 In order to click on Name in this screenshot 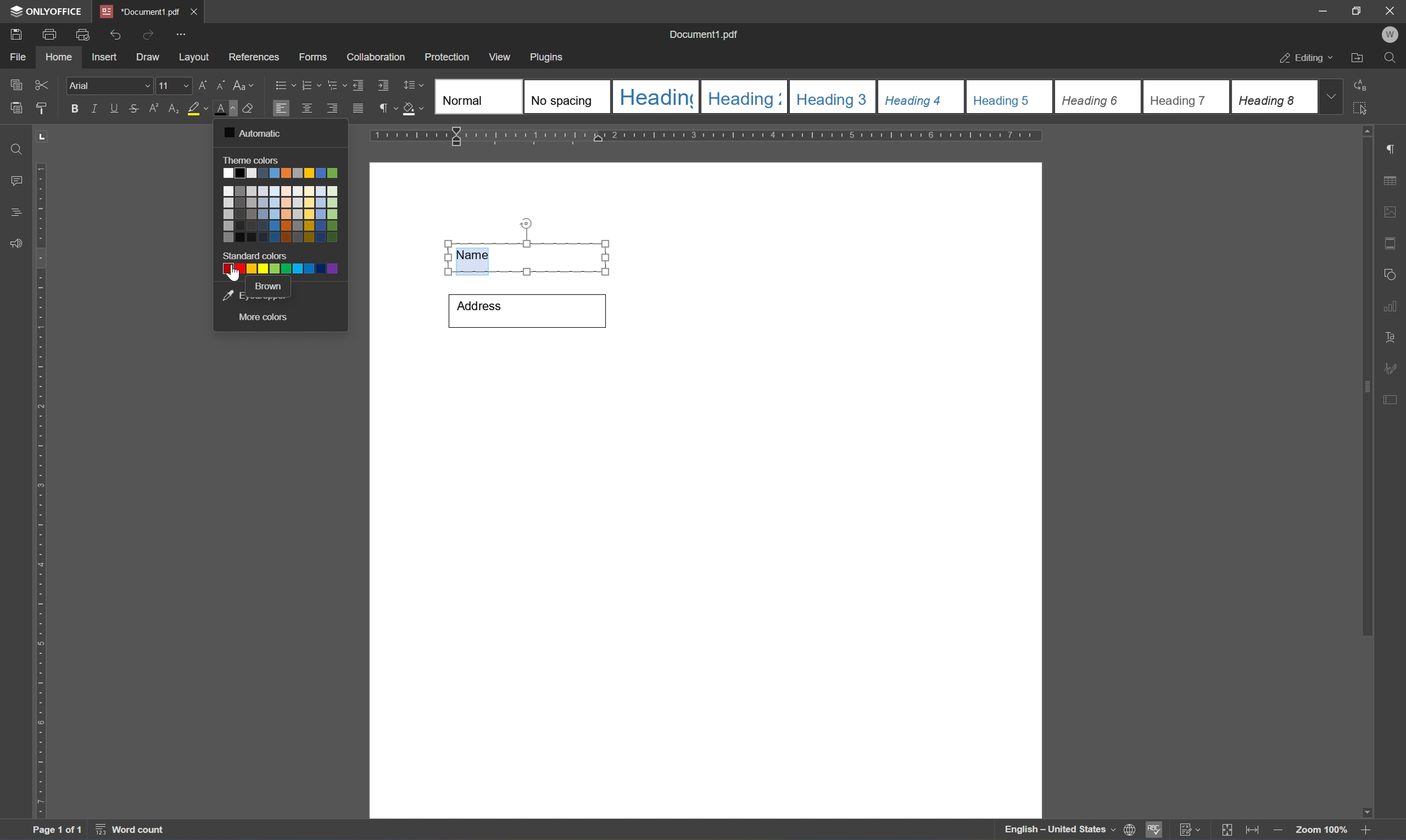, I will do `click(530, 248)`.